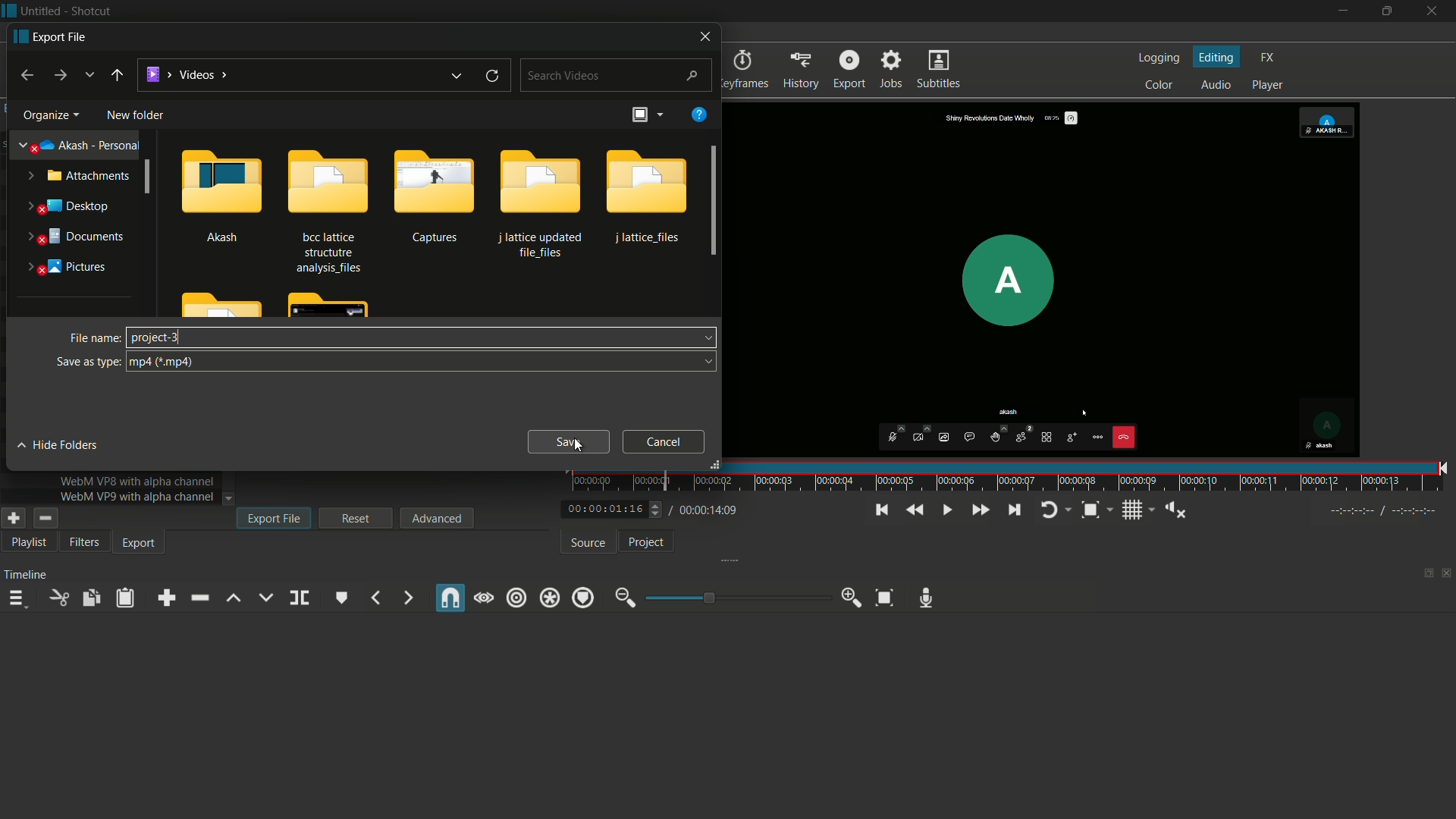 The height and width of the screenshot is (819, 1456). Describe the element at coordinates (154, 337) in the screenshot. I see `project-3` at that location.